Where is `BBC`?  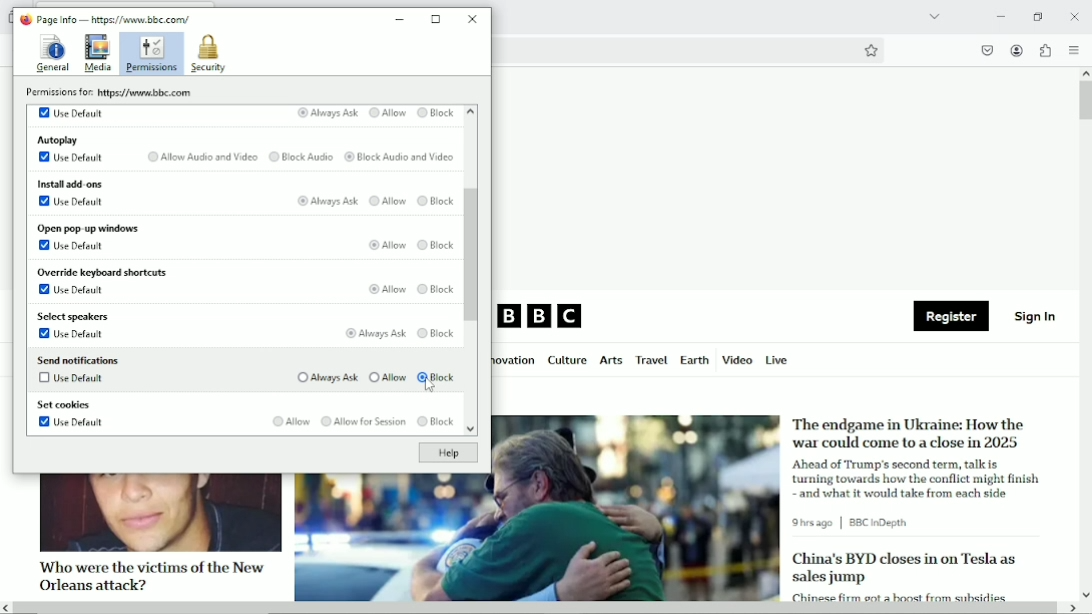
BBC is located at coordinates (541, 317).